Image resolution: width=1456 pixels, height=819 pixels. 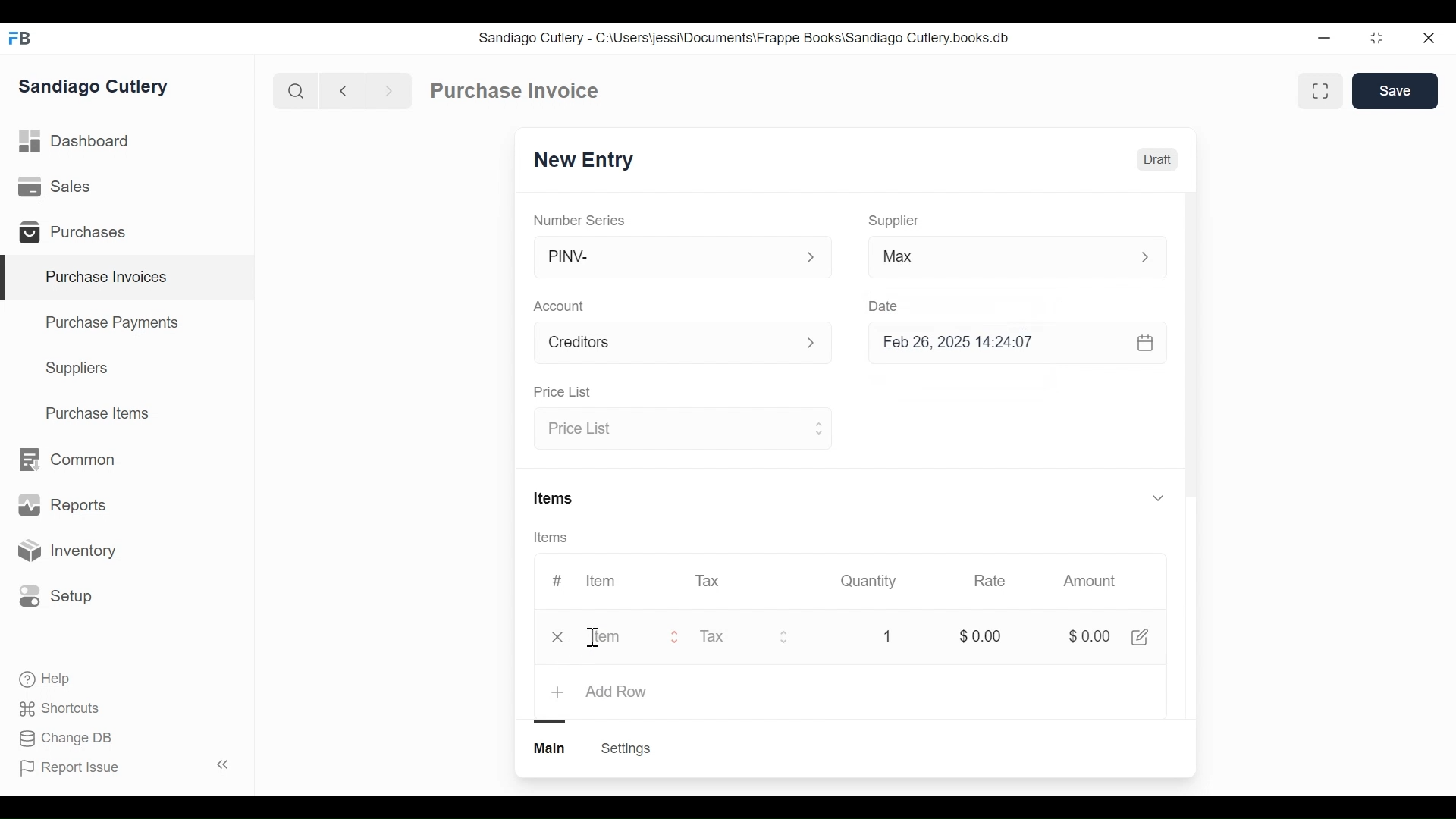 I want to click on Items, so click(x=556, y=538).